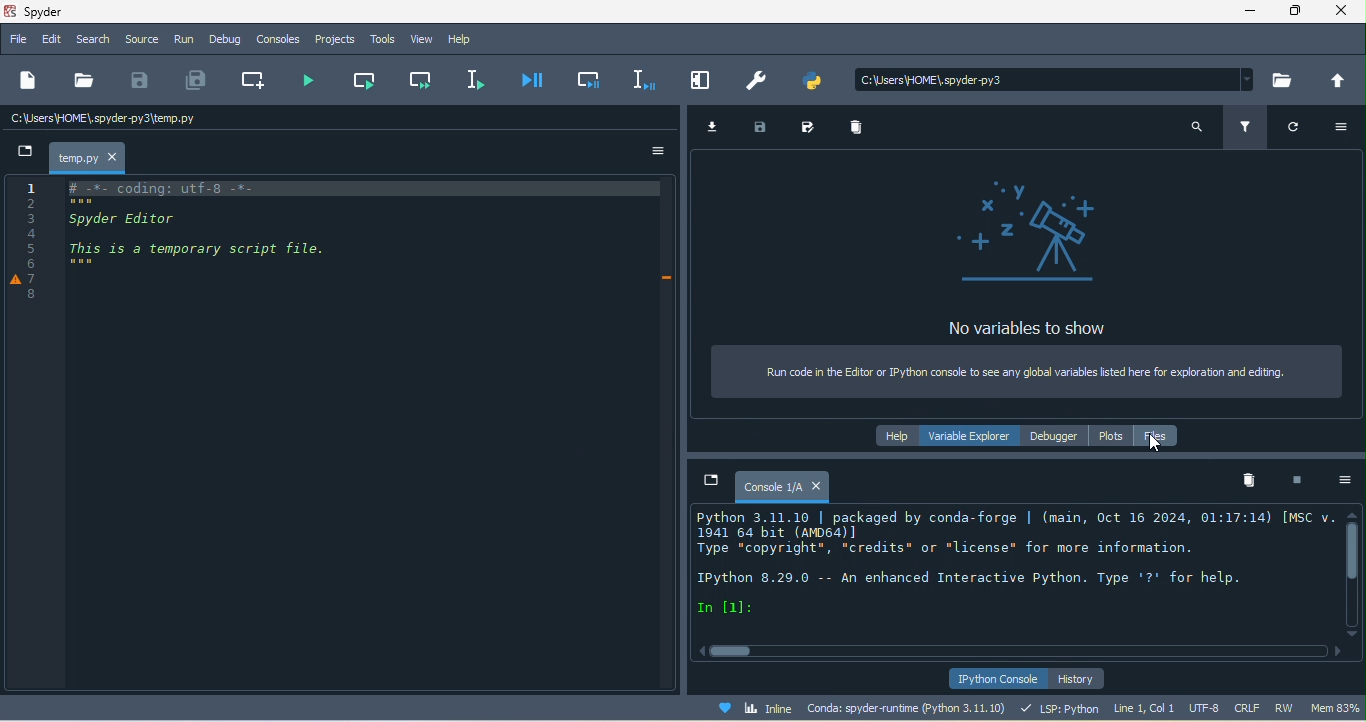 This screenshot has height=722, width=1366. Describe the element at coordinates (1165, 706) in the screenshot. I see `line 1, col 1 utf 8` at that location.